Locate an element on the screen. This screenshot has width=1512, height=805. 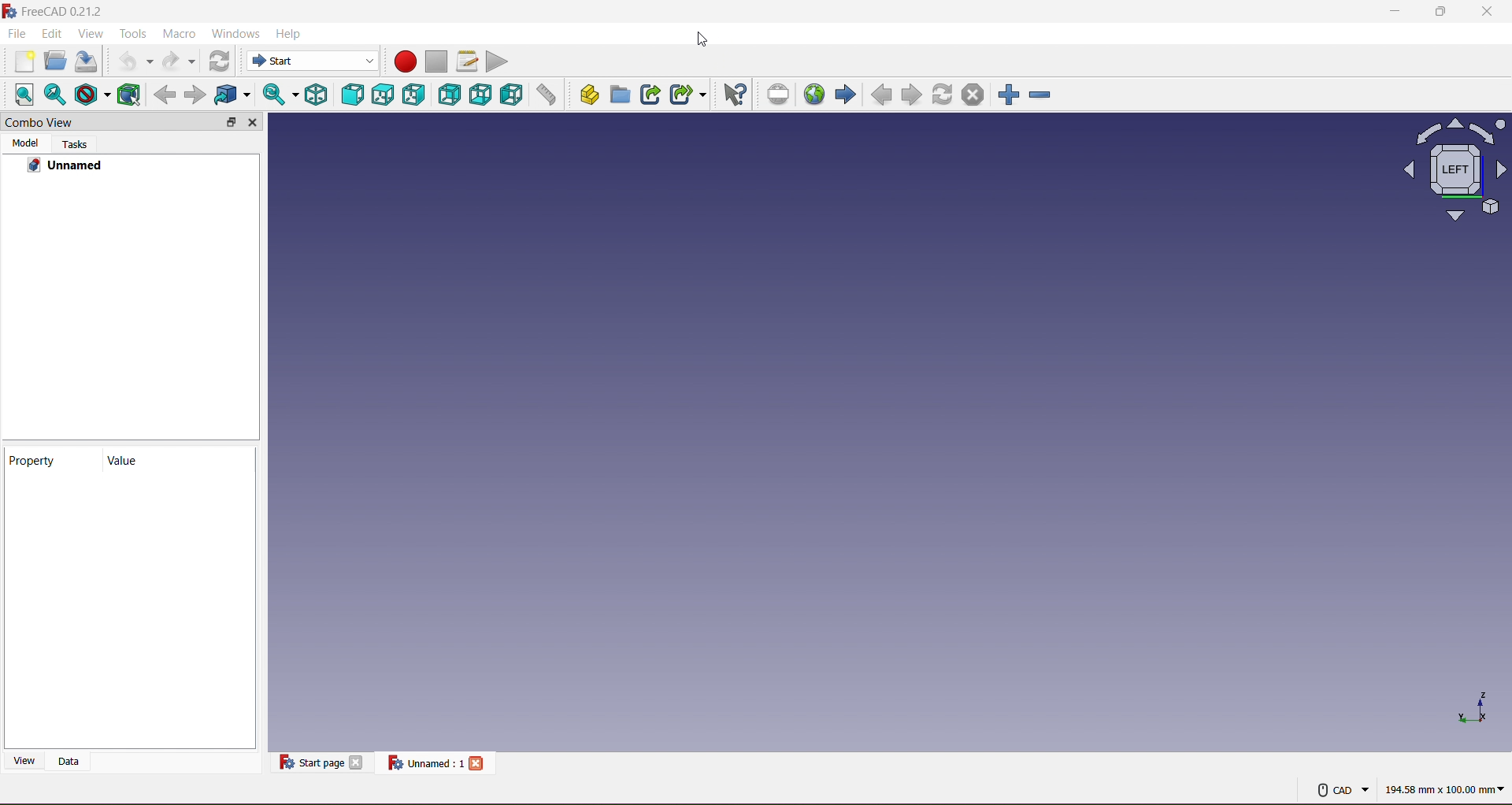
Workbench Selector is located at coordinates (217, 61).